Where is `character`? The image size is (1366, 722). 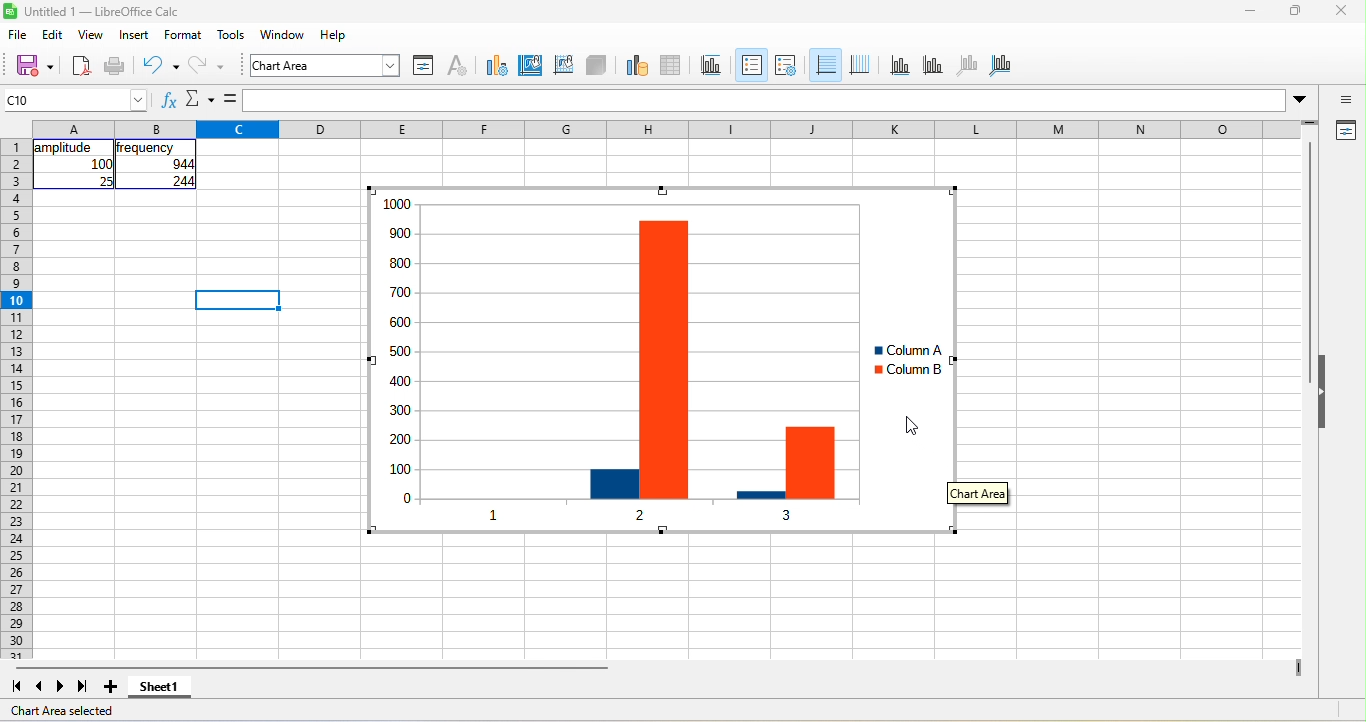
character is located at coordinates (458, 66).